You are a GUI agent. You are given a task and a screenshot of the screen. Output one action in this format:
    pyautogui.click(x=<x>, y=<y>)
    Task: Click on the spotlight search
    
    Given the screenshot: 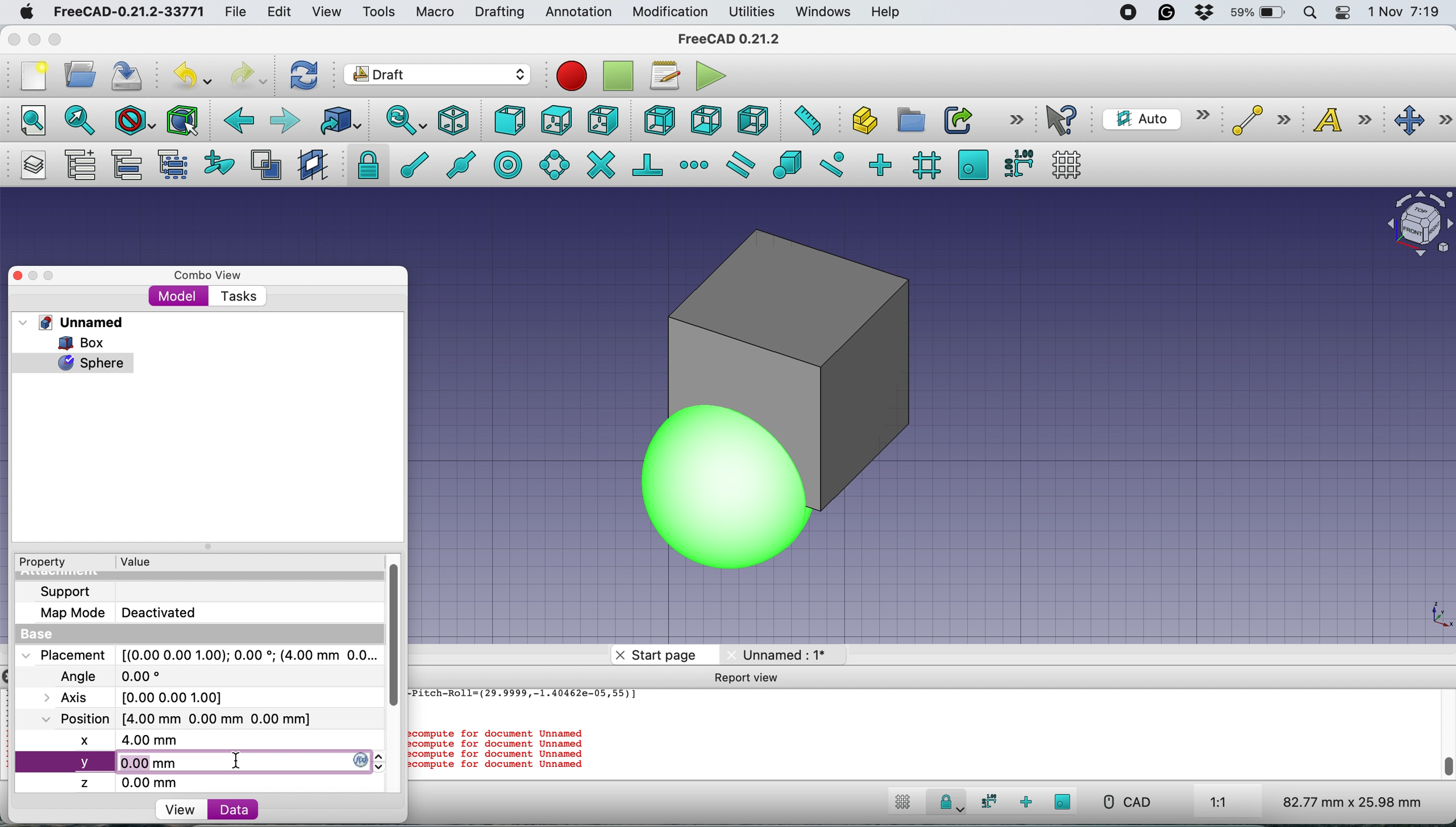 What is the action you would take?
    pyautogui.click(x=1308, y=14)
    